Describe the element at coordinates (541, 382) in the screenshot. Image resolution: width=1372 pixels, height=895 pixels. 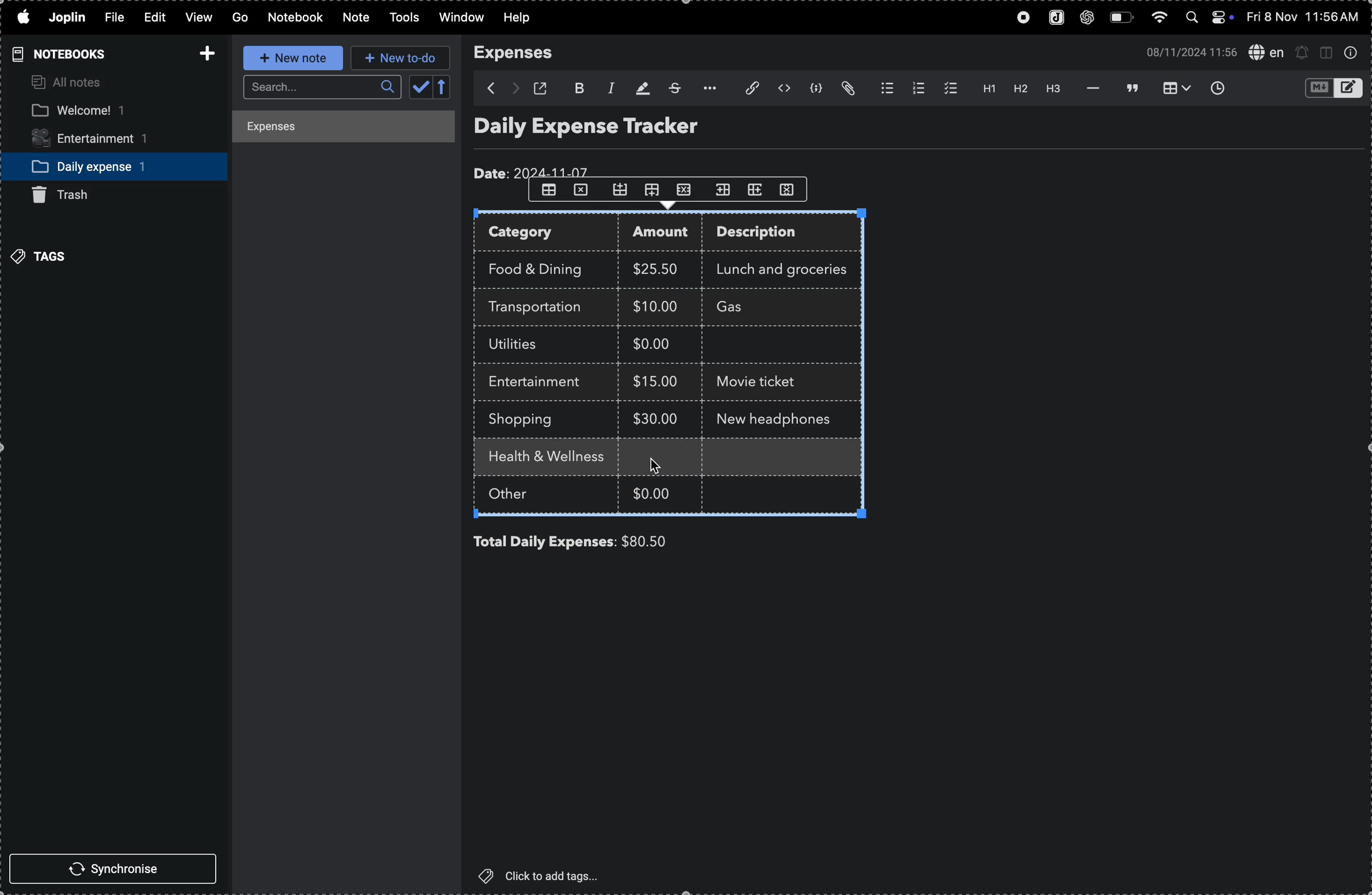
I see `entertainment` at that location.